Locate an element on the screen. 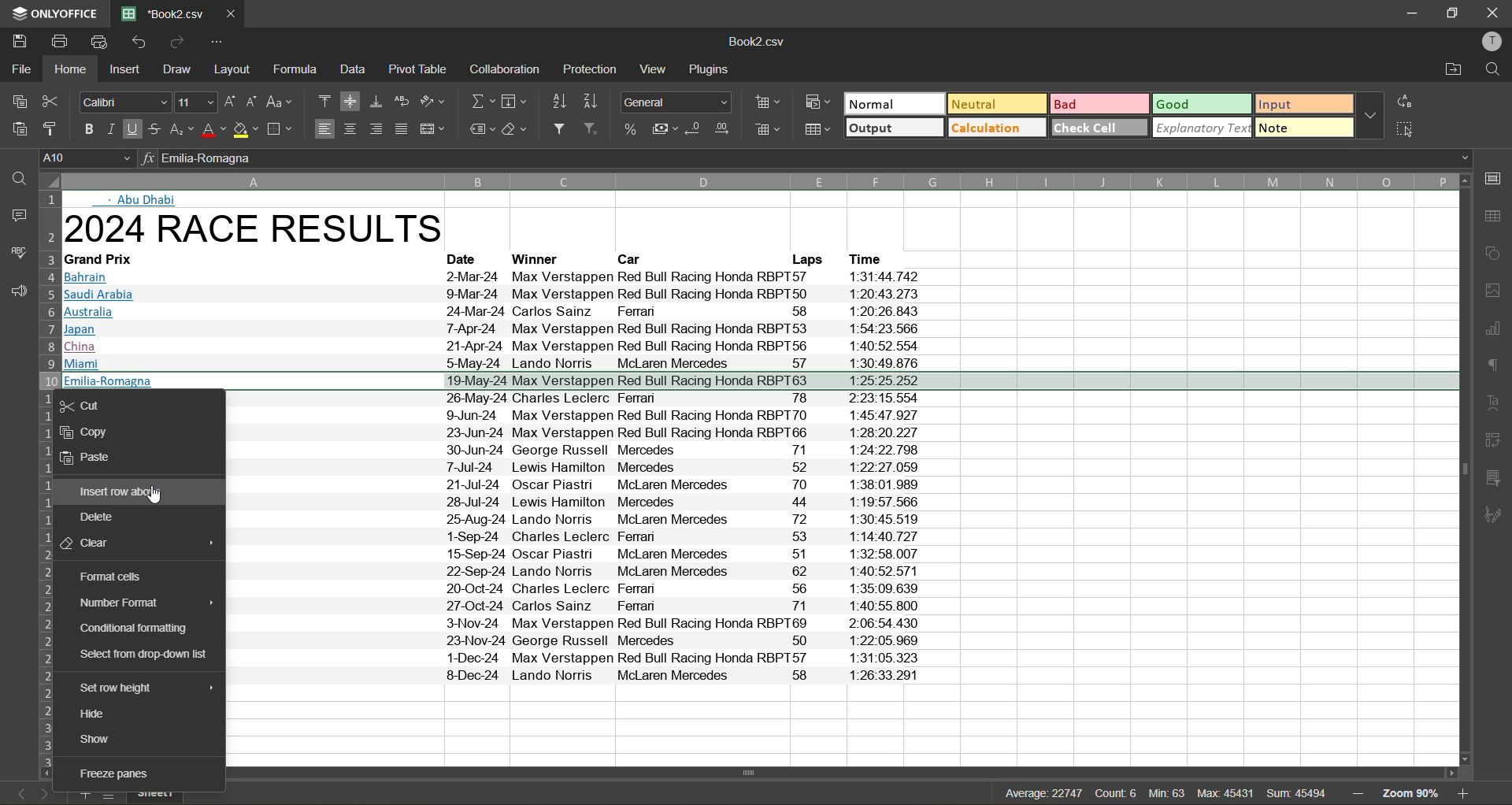  percent is located at coordinates (633, 131).